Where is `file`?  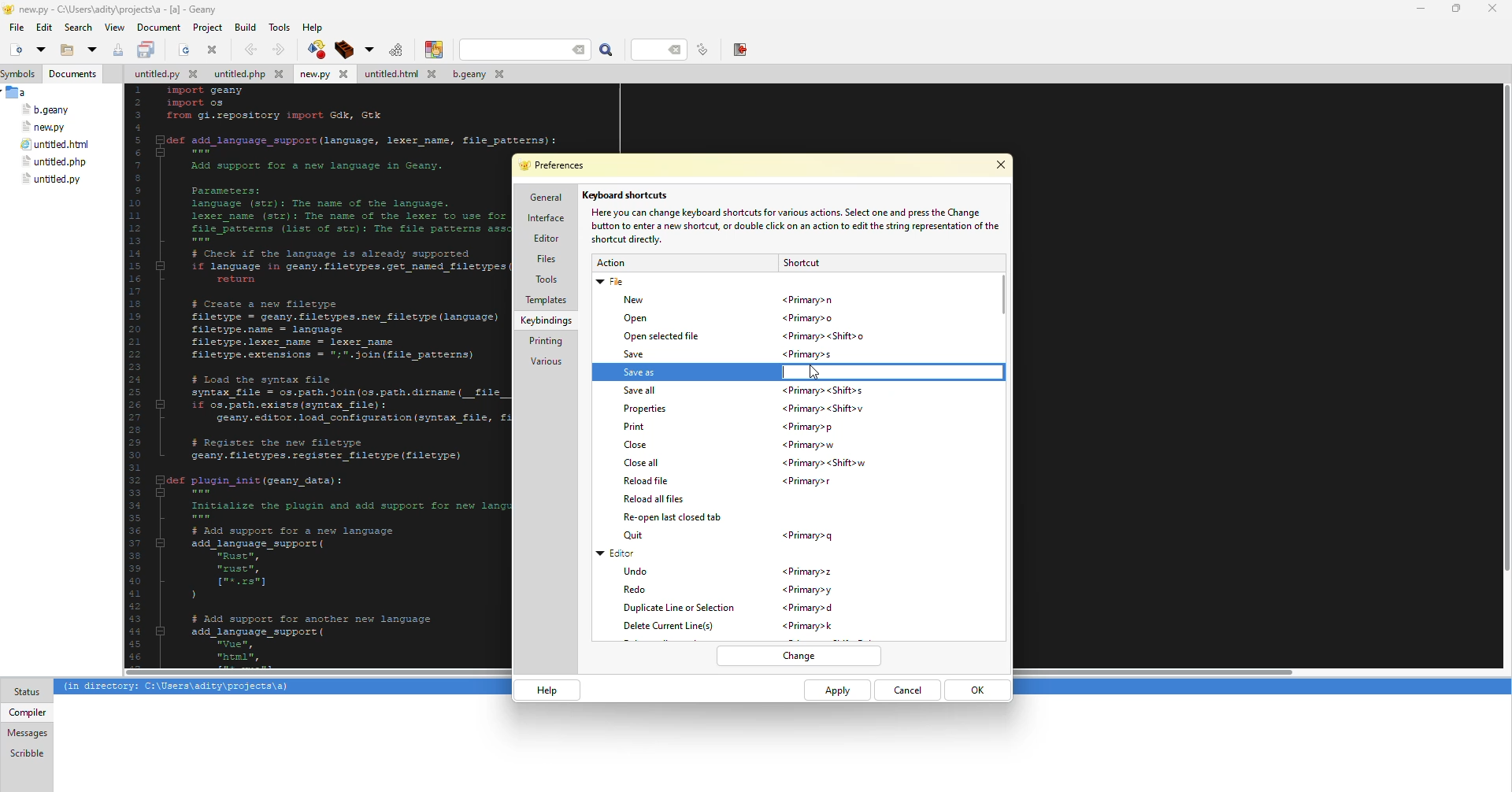 file is located at coordinates (248, 76).